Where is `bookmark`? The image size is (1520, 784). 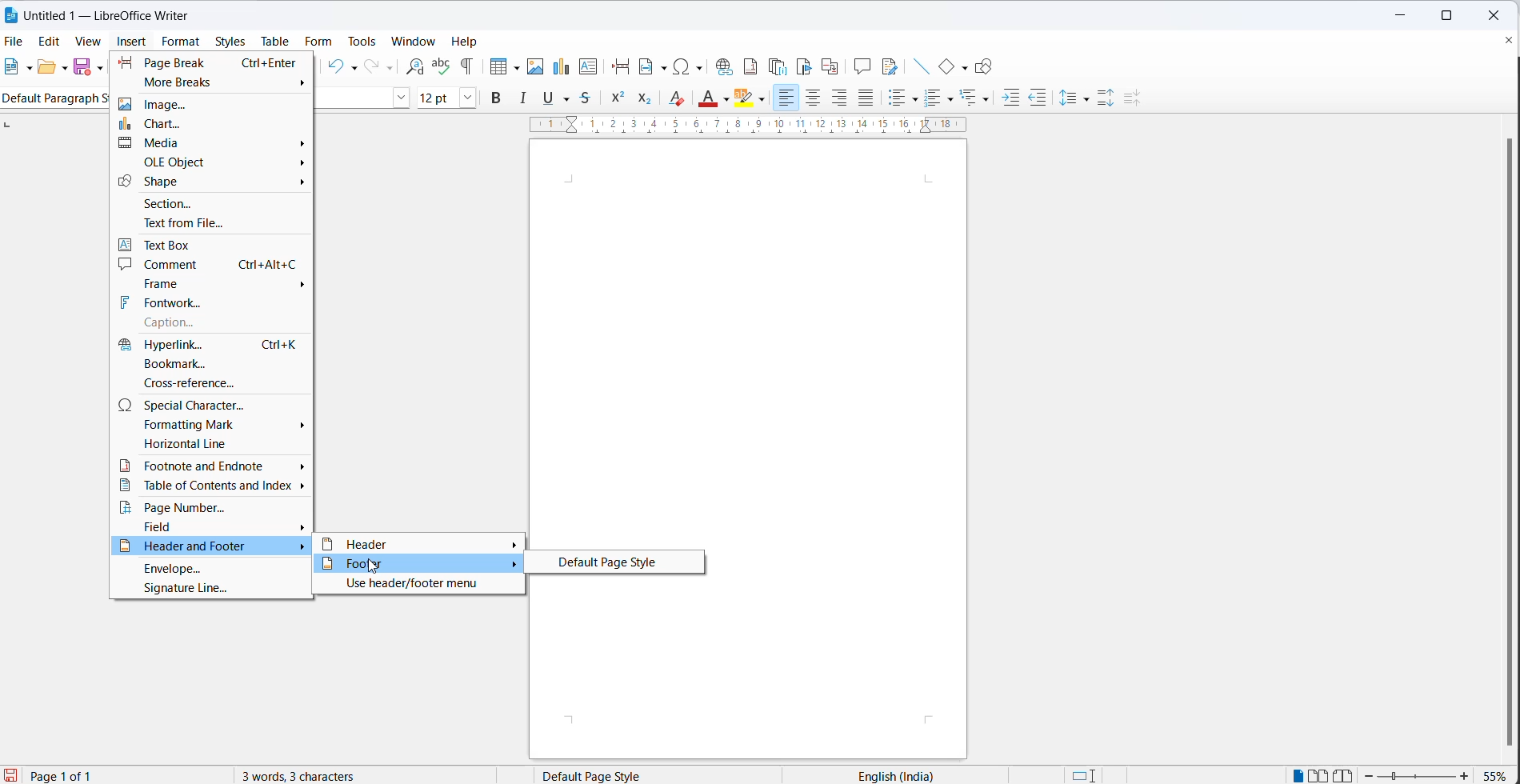
bookmark is located at coordinates (210, 367).